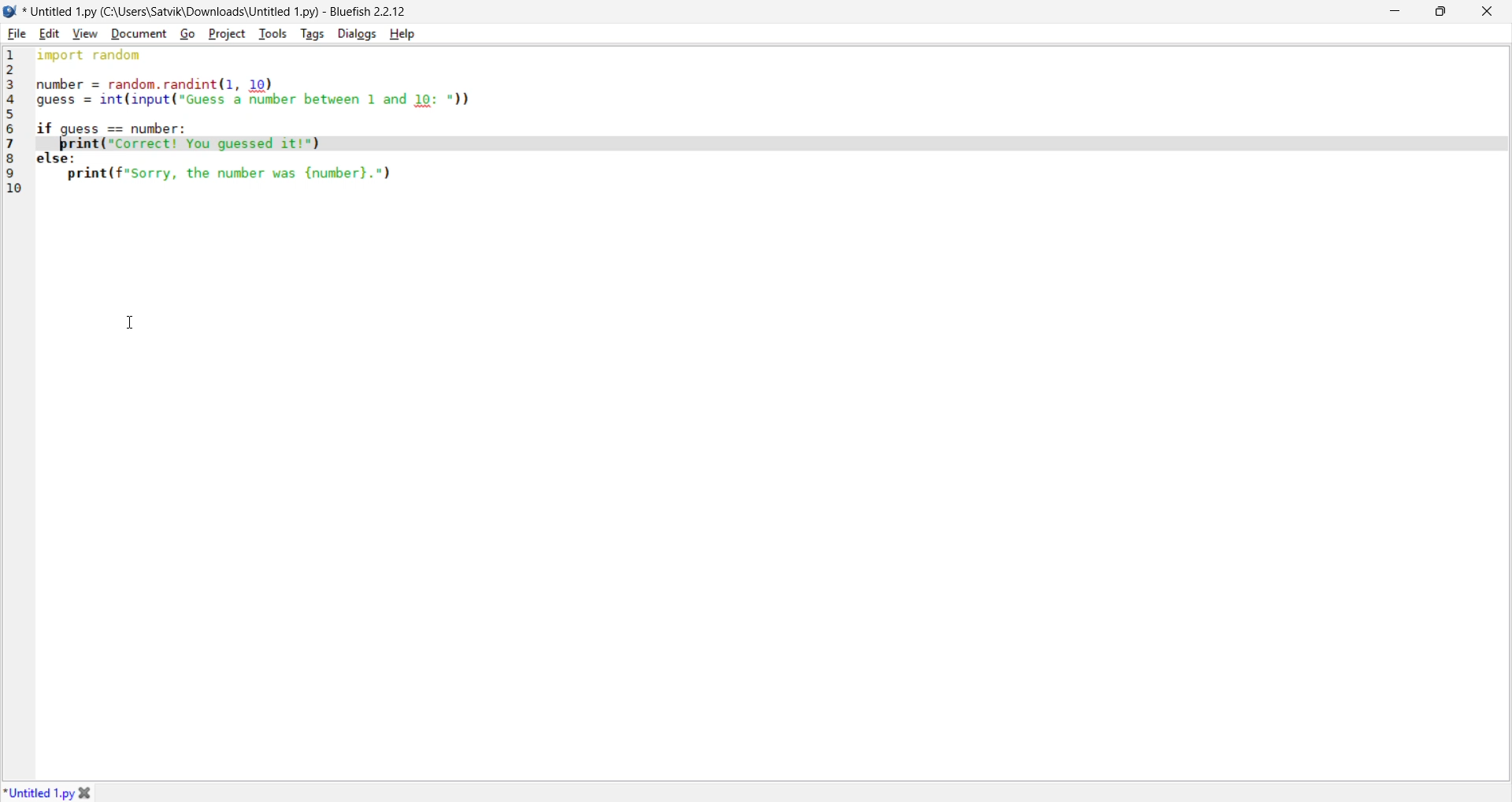 This screenshot has width=1512, height=802. What do you see at coordinates (313, 33) in the screenshot?
I see `tags` at bounding box center [313, 33].